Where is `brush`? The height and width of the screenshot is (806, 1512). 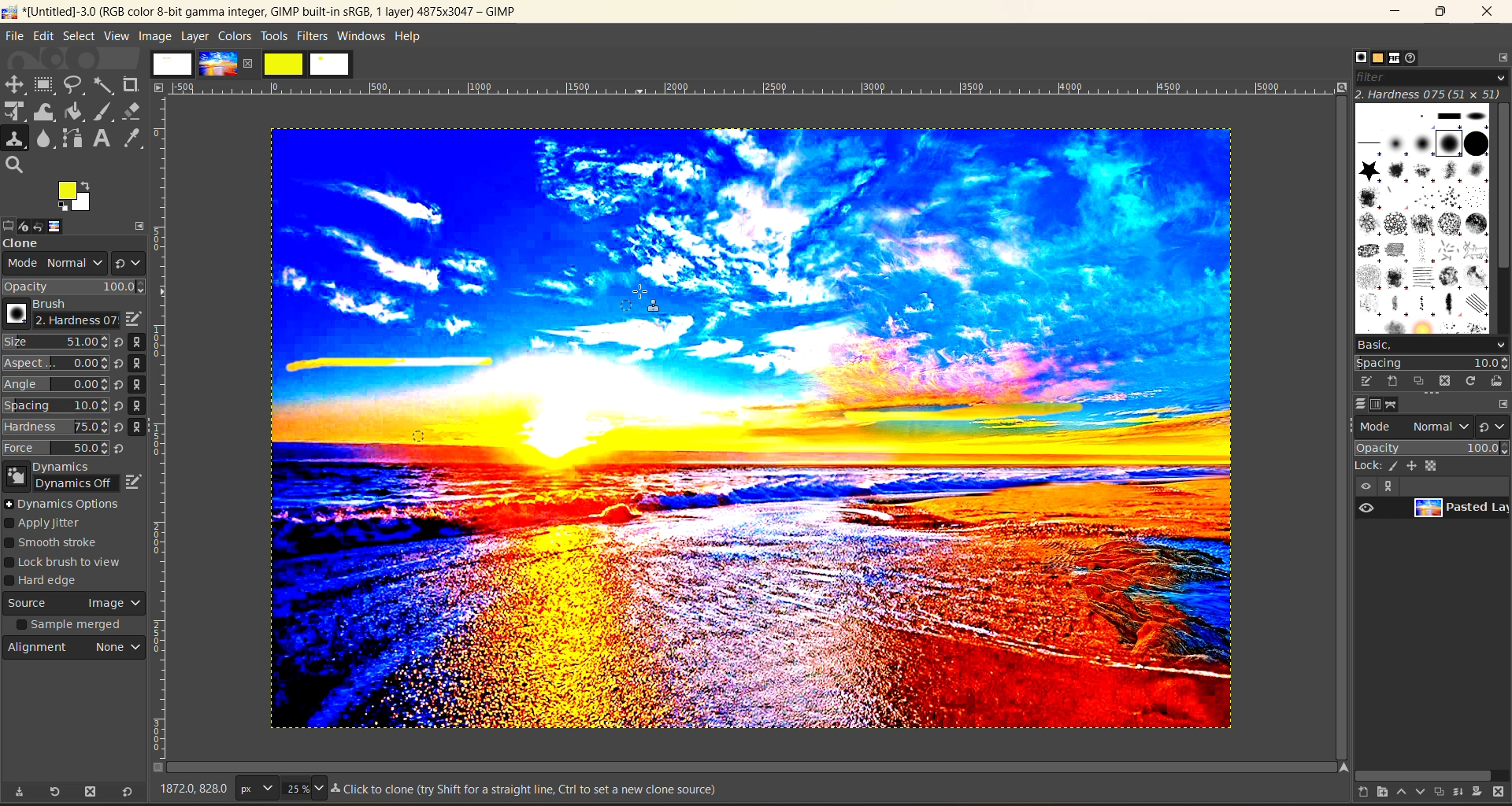
brush is located at coordinates (57, 314).